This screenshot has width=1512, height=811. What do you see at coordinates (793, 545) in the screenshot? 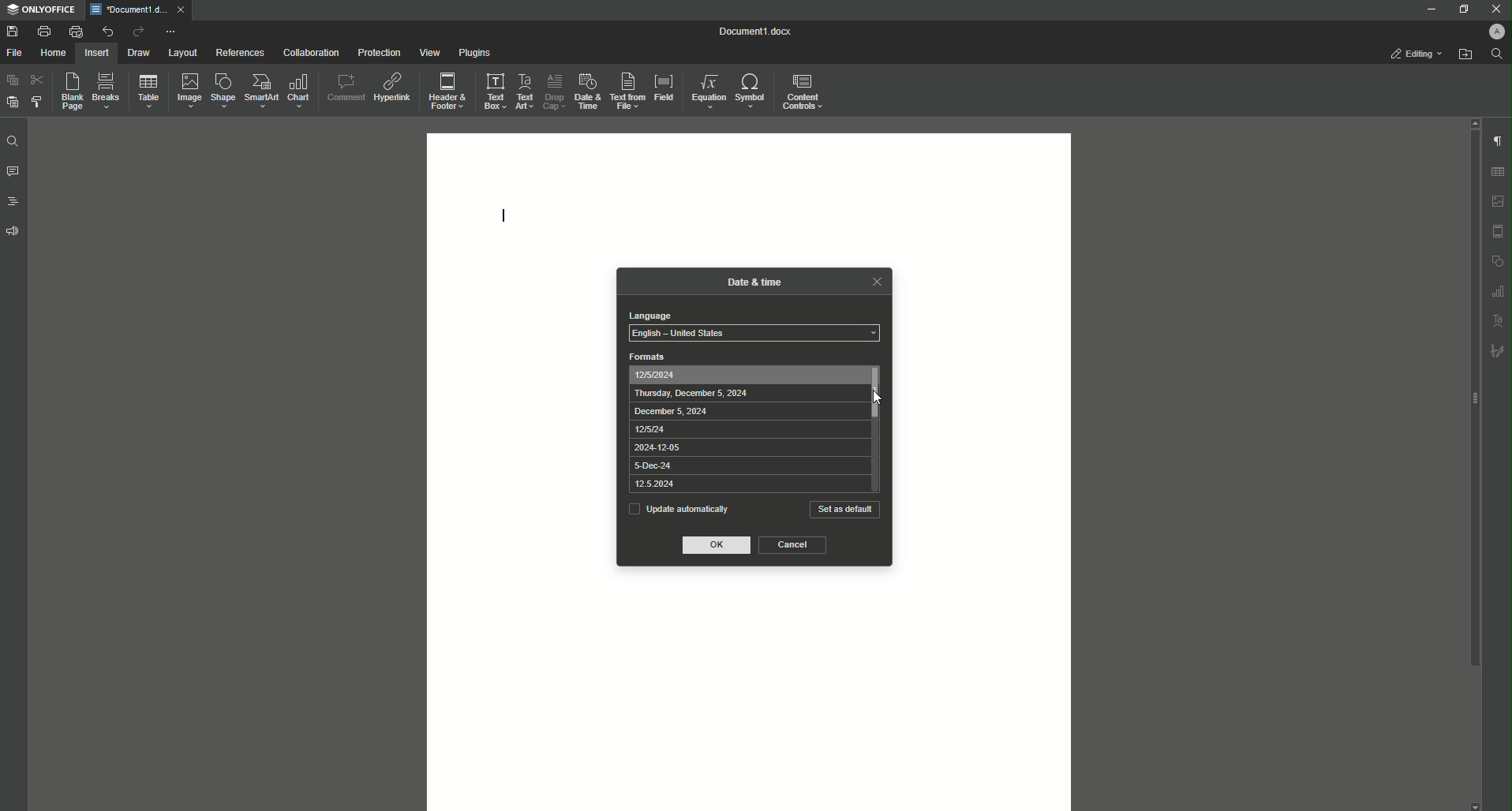
I see `Cancel` at bounding box center [793, 545].